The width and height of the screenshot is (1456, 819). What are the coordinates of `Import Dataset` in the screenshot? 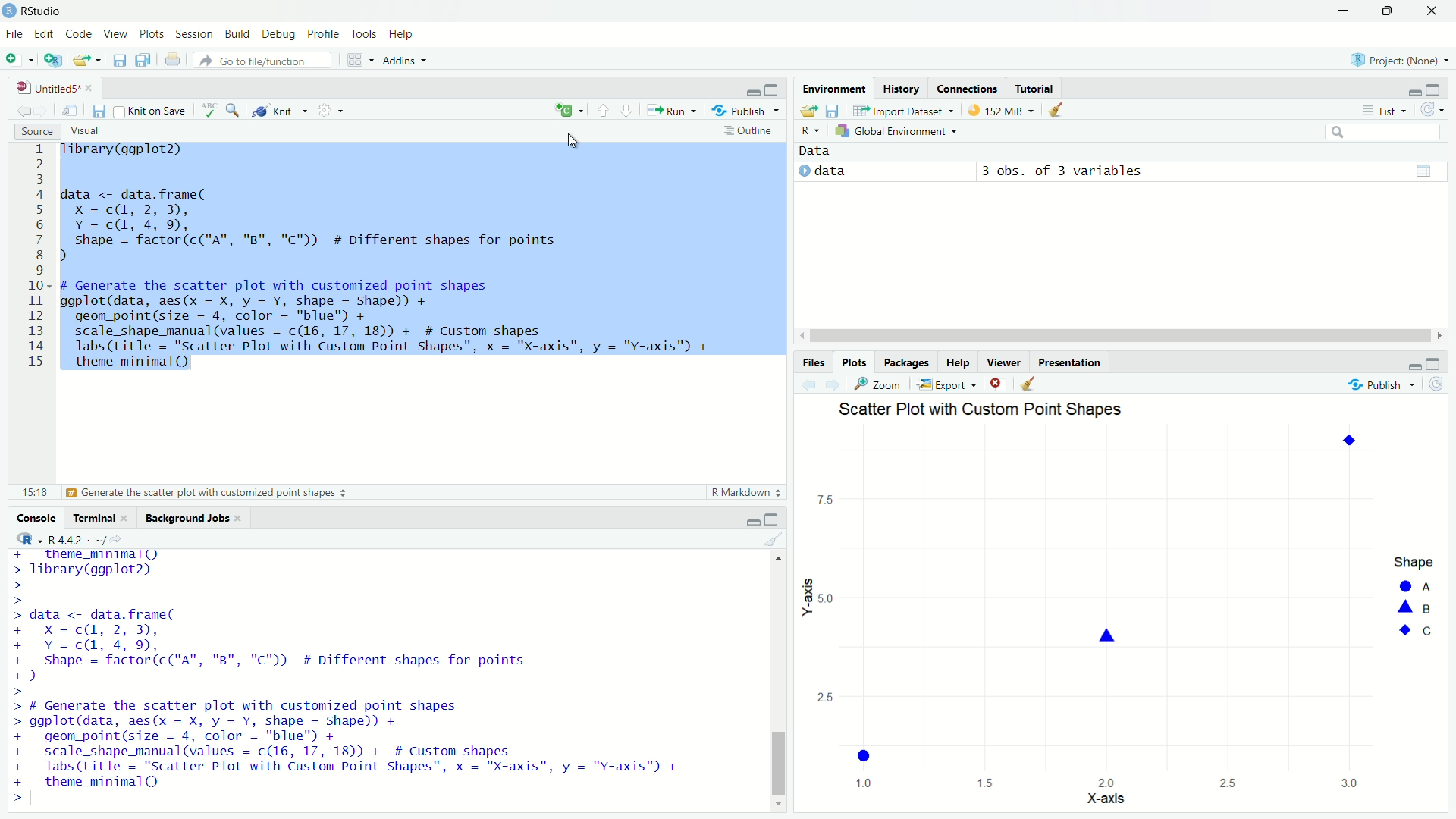 It's located at (903, 111).